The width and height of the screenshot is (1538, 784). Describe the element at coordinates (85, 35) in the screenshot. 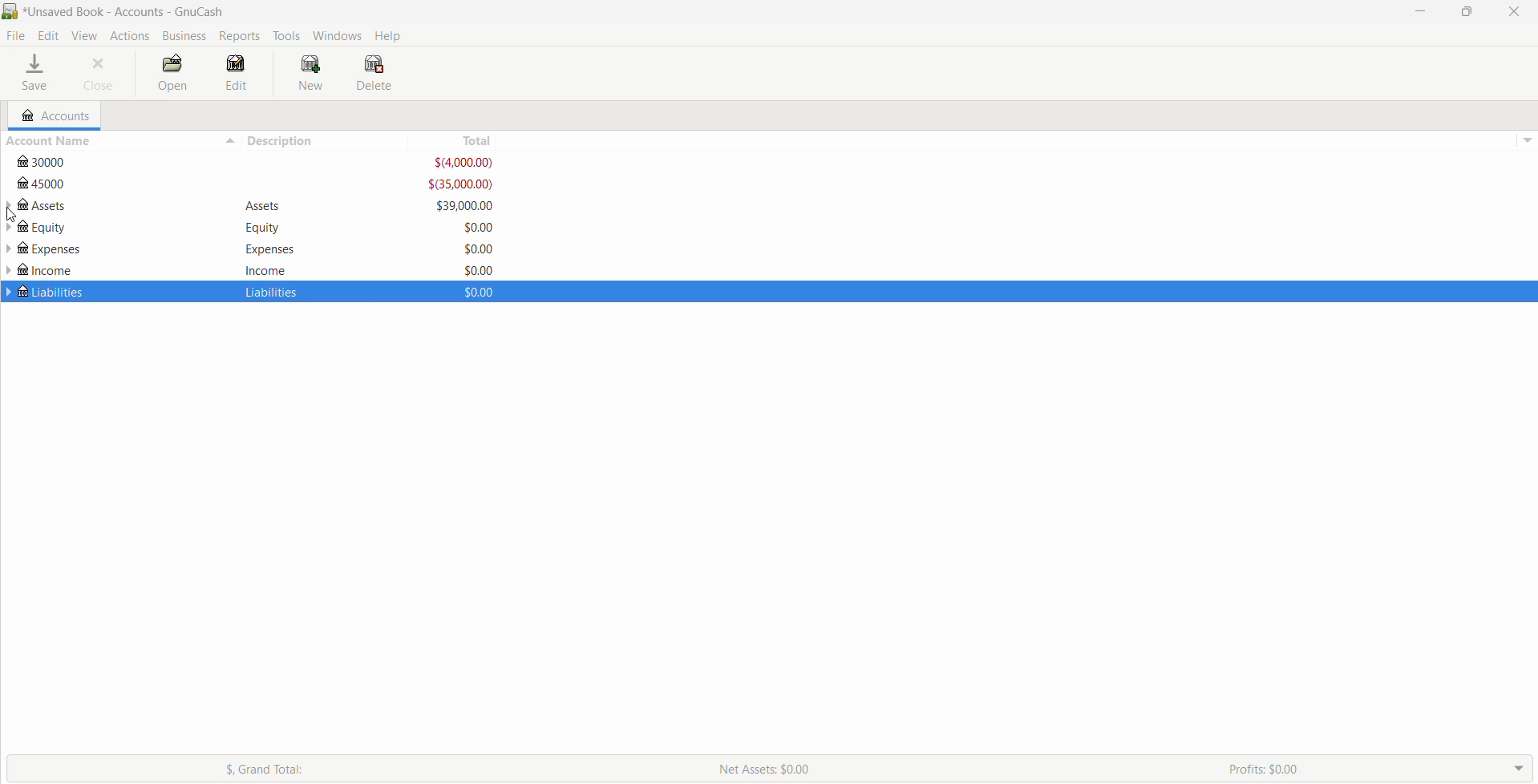

I see `View` at that location.